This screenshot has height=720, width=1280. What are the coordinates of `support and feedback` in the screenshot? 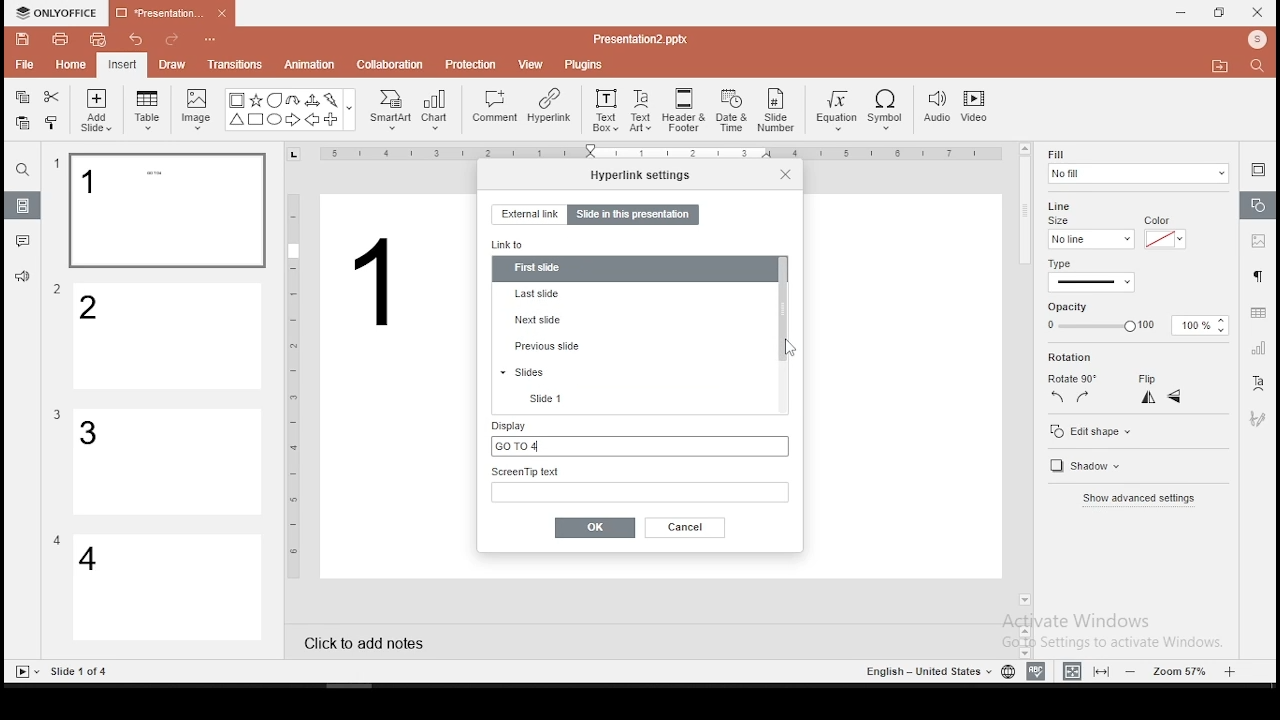 It's located at (22, 279).